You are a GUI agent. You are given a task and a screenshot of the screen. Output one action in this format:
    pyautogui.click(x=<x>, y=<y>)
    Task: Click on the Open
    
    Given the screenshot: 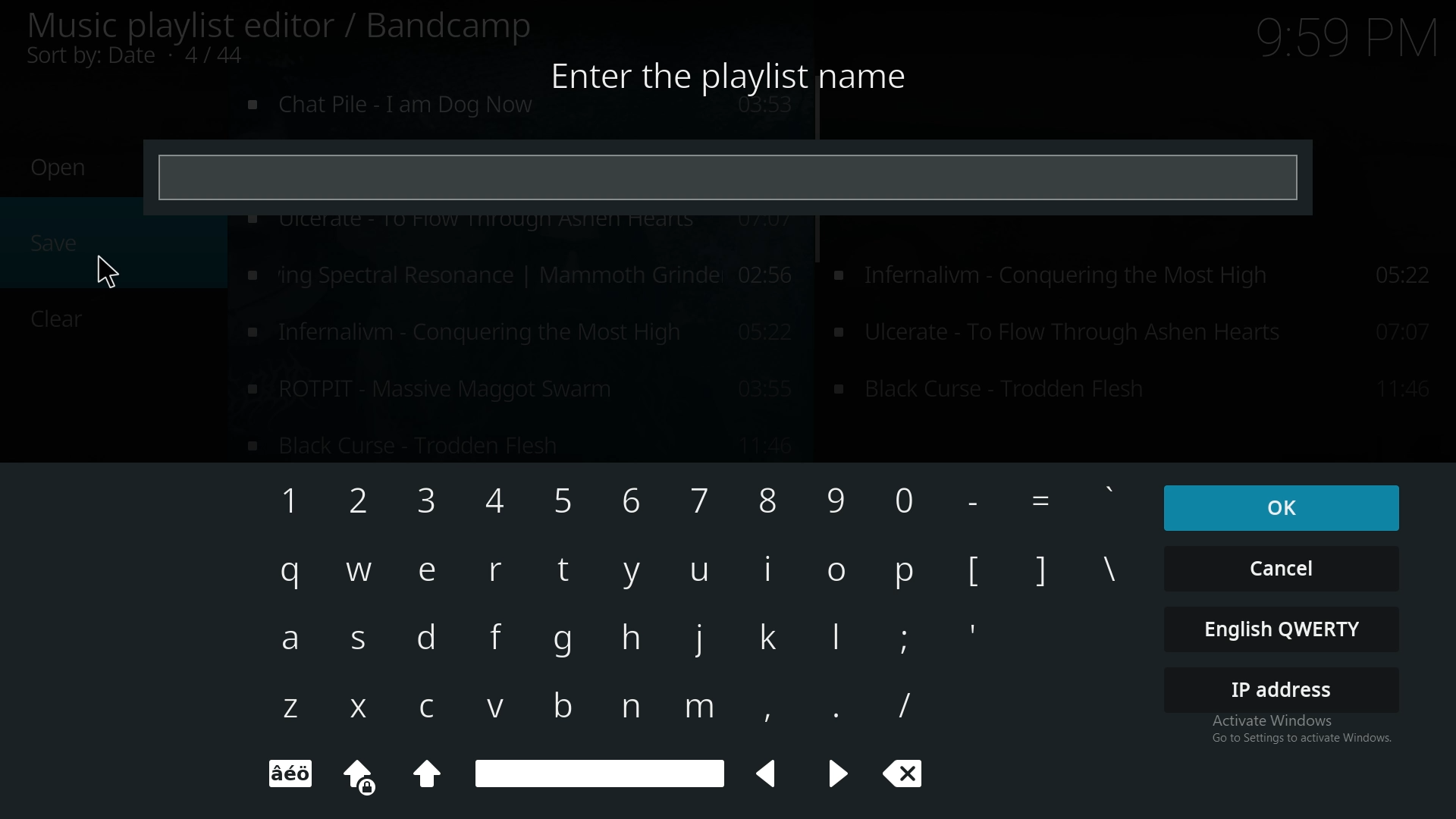 What is the action you would take?
    pyautogui.click(x=59, y=168)
    